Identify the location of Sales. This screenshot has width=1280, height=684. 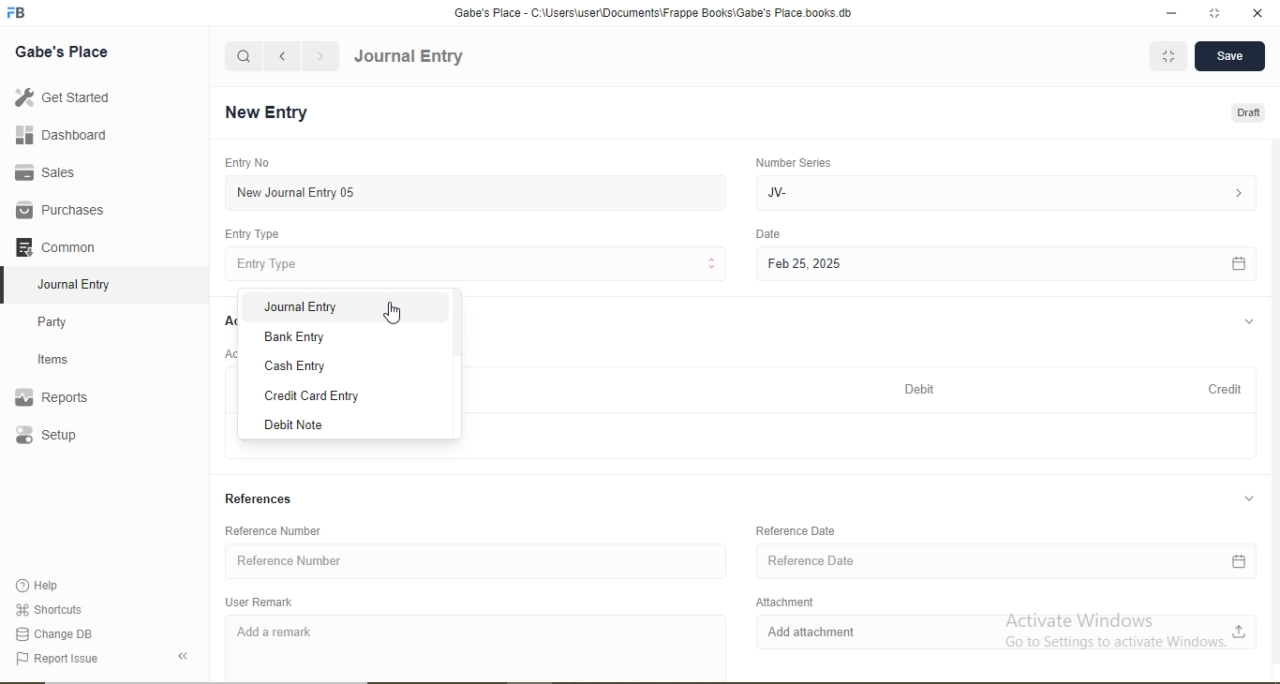
(54, 172).